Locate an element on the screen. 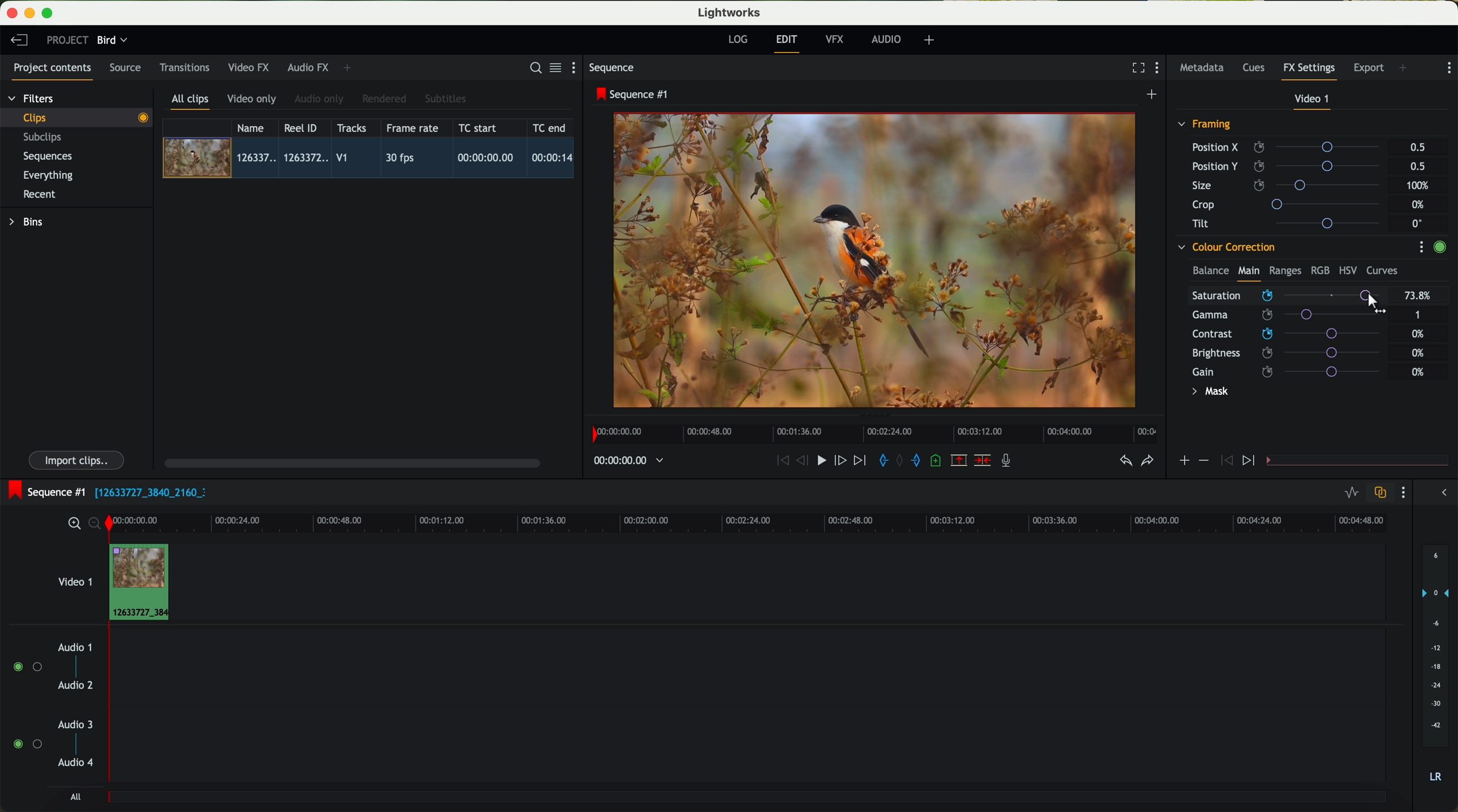 The height and width of the screenshot is (812, 1458). minimize program is located at coordinates (32, 14).